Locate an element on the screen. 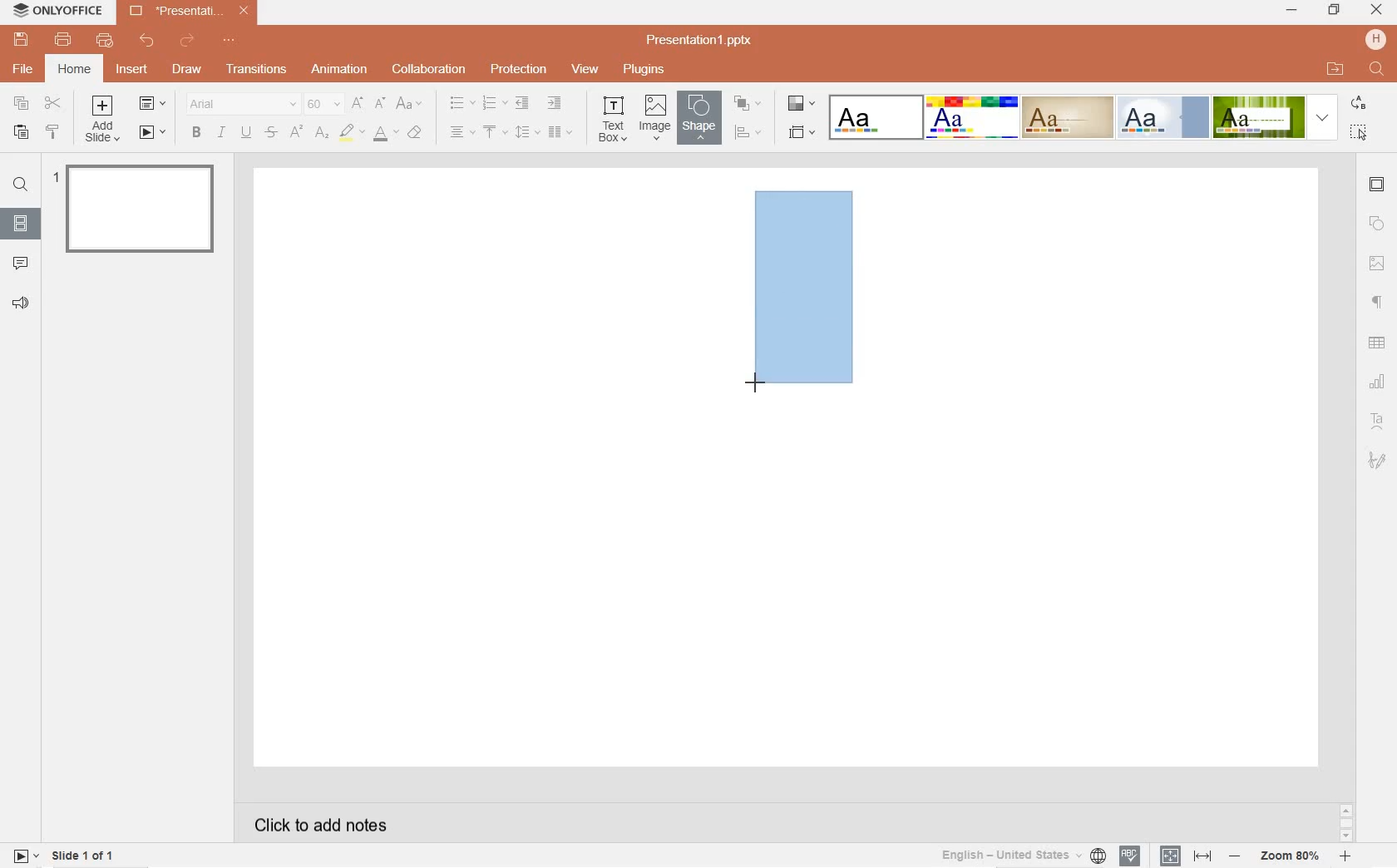 This screenshot has height=868, width=1397. click to add notes is located at coordinates (314, 823).